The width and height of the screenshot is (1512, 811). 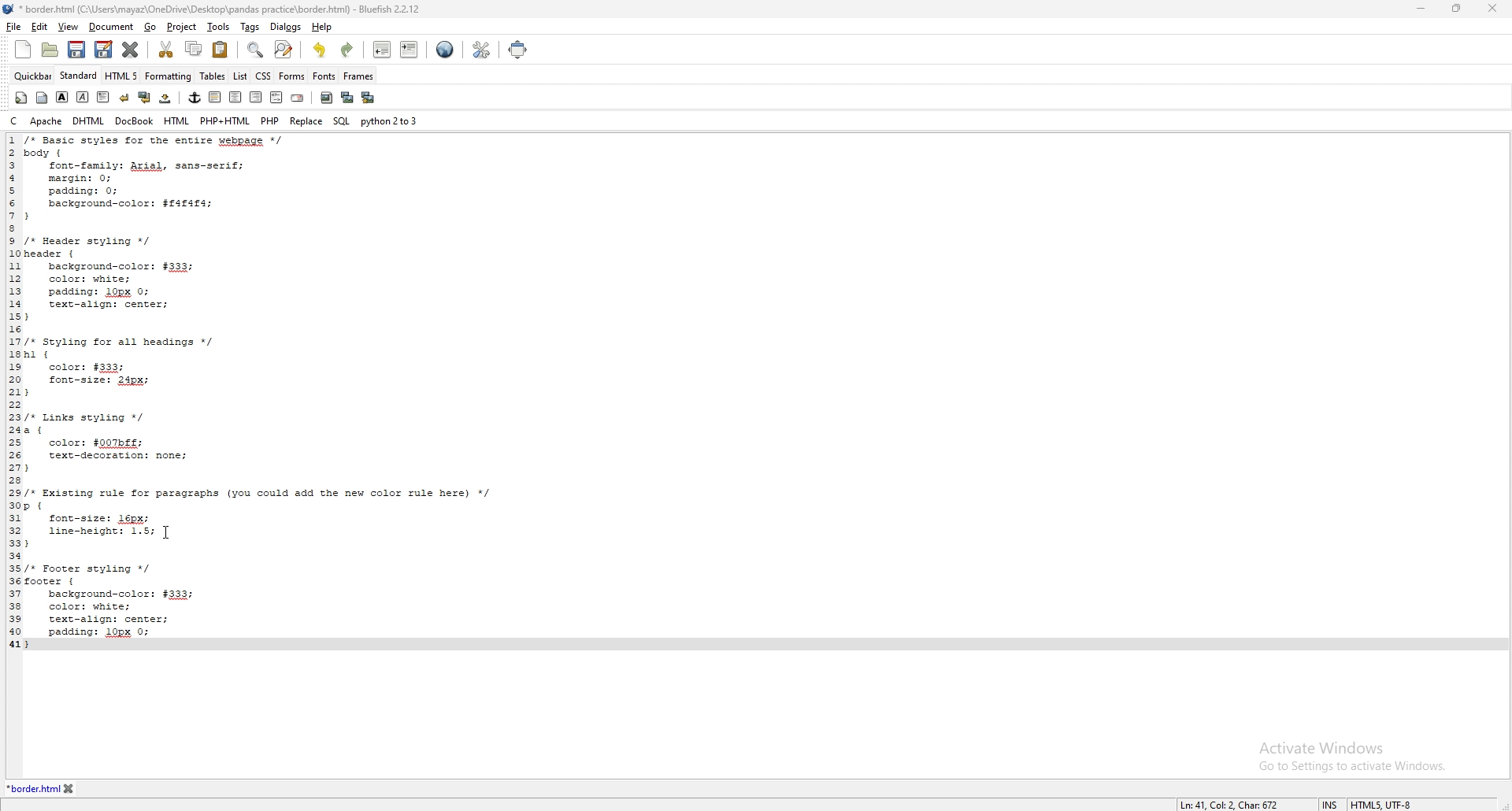 I want to click on *border.html (C:\Users\mayaz\OneDrive\Desktop\pandas practice\border.html) - Bluefish 2.2.12, so click(x=226, y=9).